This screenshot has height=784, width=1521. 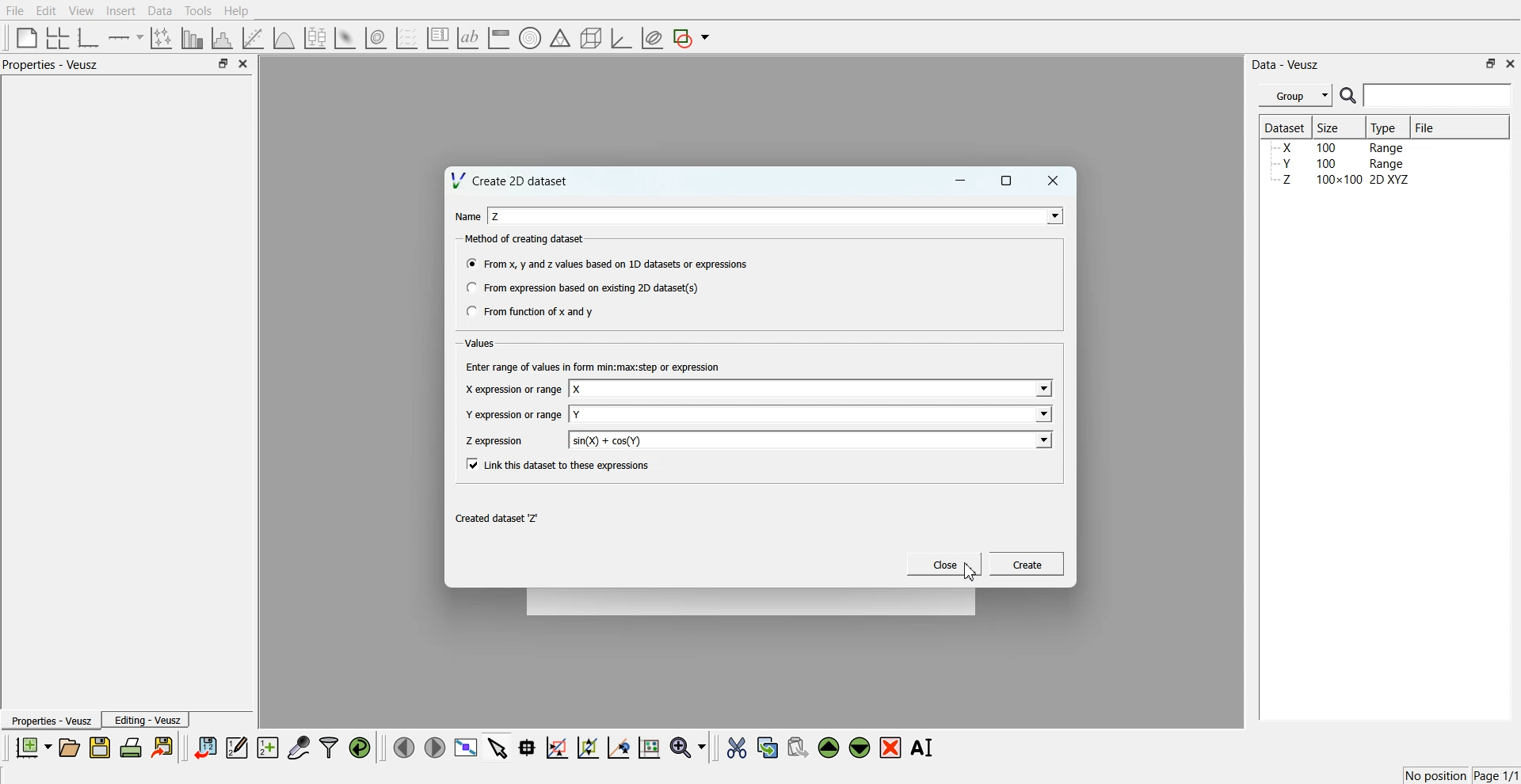 I want to click on Base Graph, so click(x=89, y=38).